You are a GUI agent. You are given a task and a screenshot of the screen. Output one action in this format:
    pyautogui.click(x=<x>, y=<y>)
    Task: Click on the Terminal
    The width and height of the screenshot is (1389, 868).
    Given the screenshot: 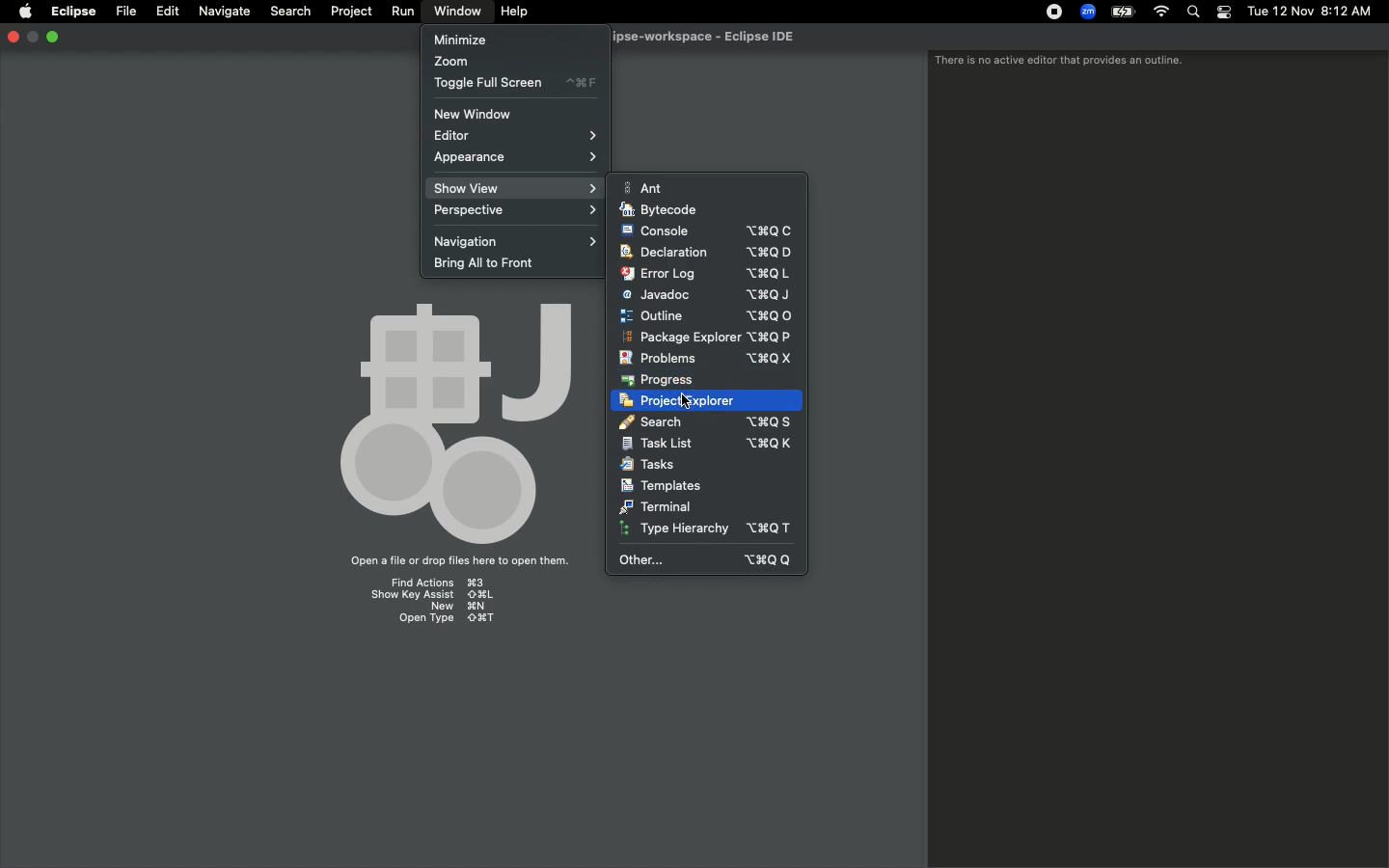 What is the action you would take?
    pyautogui.click(x=656, y=507)
    